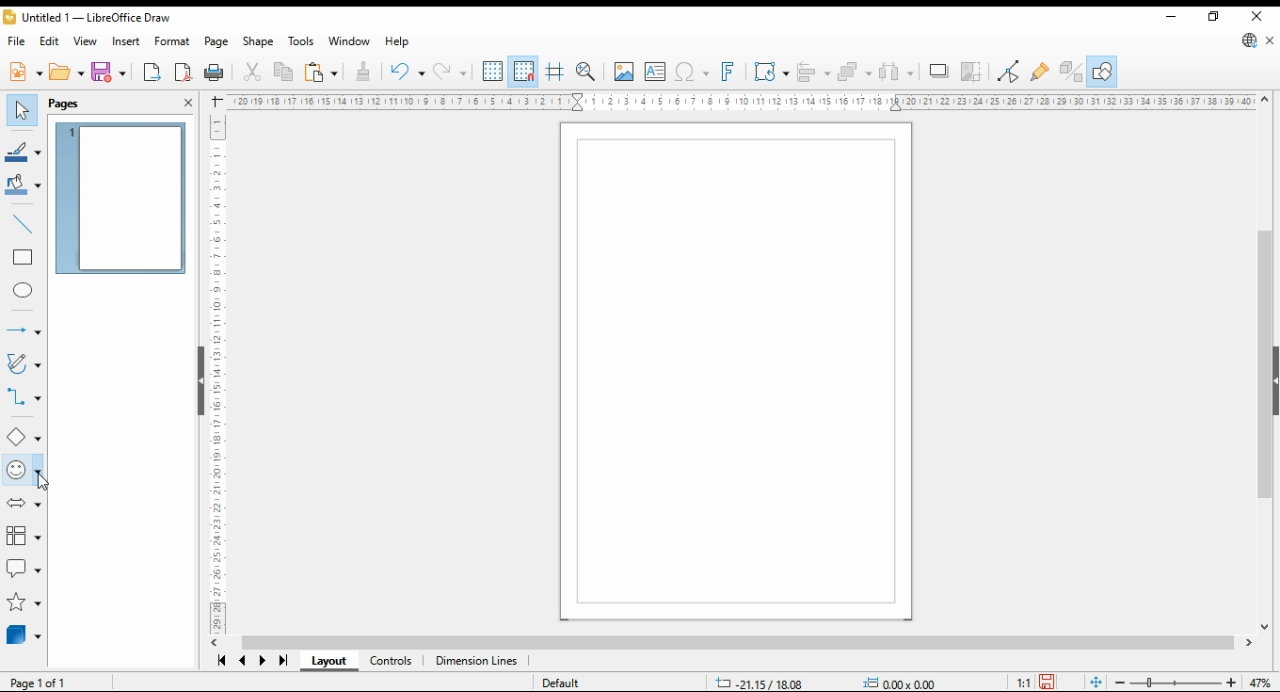 The height and width of the screenshot is (692, 1280). Describe the element at coordinates (1102, 71) in the screenshot. I see `show draw functions` at that location.